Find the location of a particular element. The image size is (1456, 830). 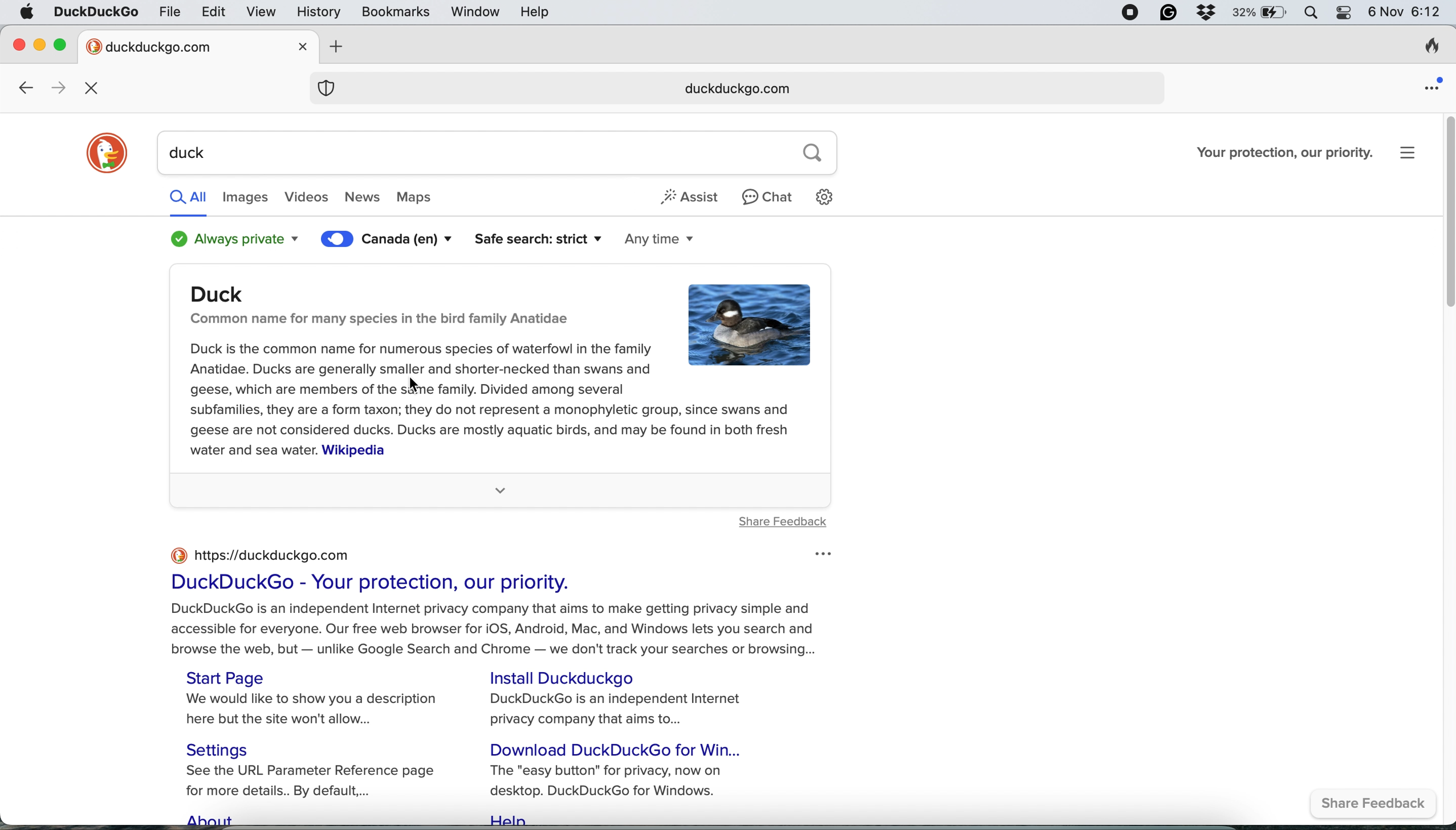

assist is located at coordinates (693, 196).